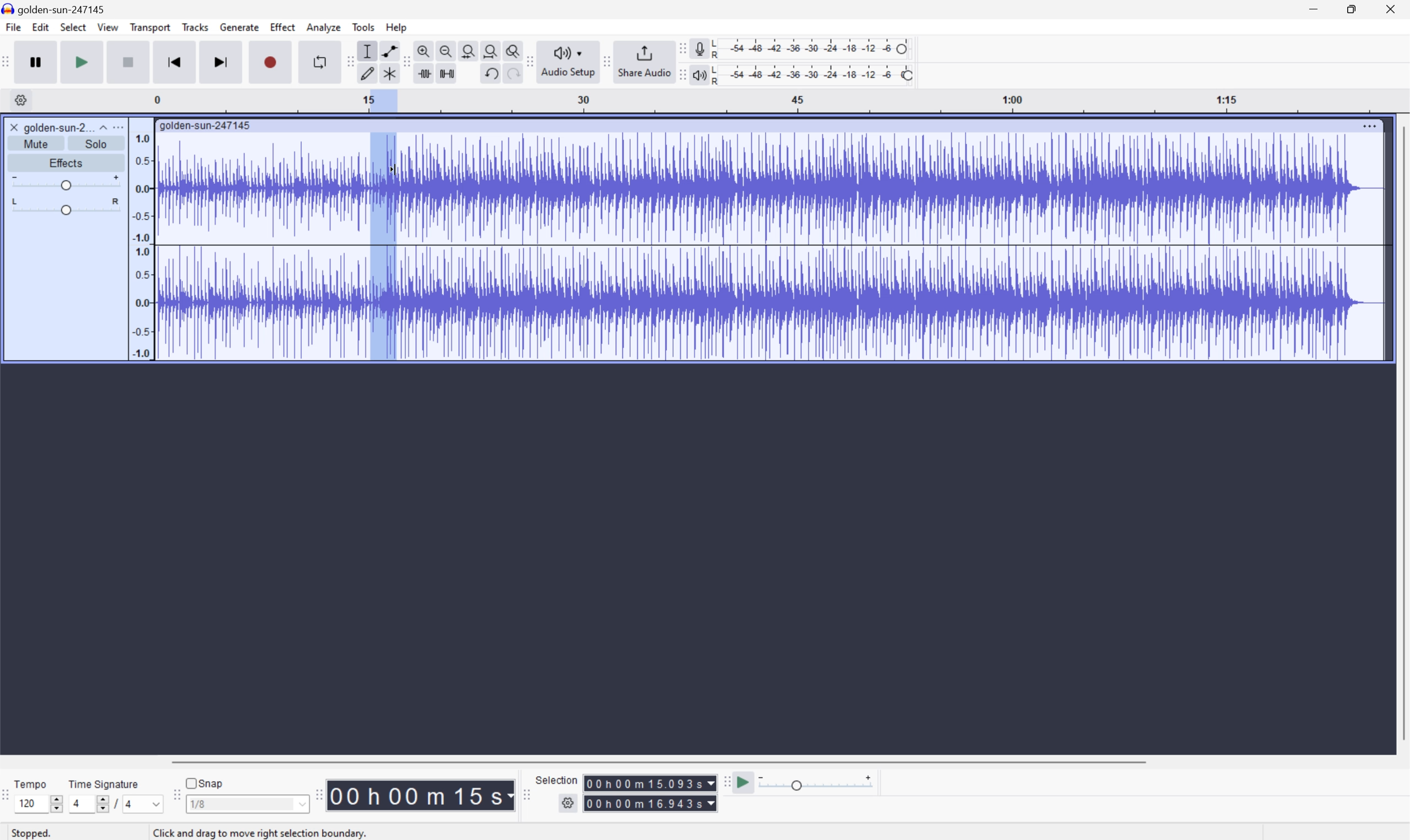 The width and height of the screenshot is (1410, 840). What do you see at coordinates (814, 48) in the screenshot?
I see `Recording level: 62%` at bounding box center [814, 48].